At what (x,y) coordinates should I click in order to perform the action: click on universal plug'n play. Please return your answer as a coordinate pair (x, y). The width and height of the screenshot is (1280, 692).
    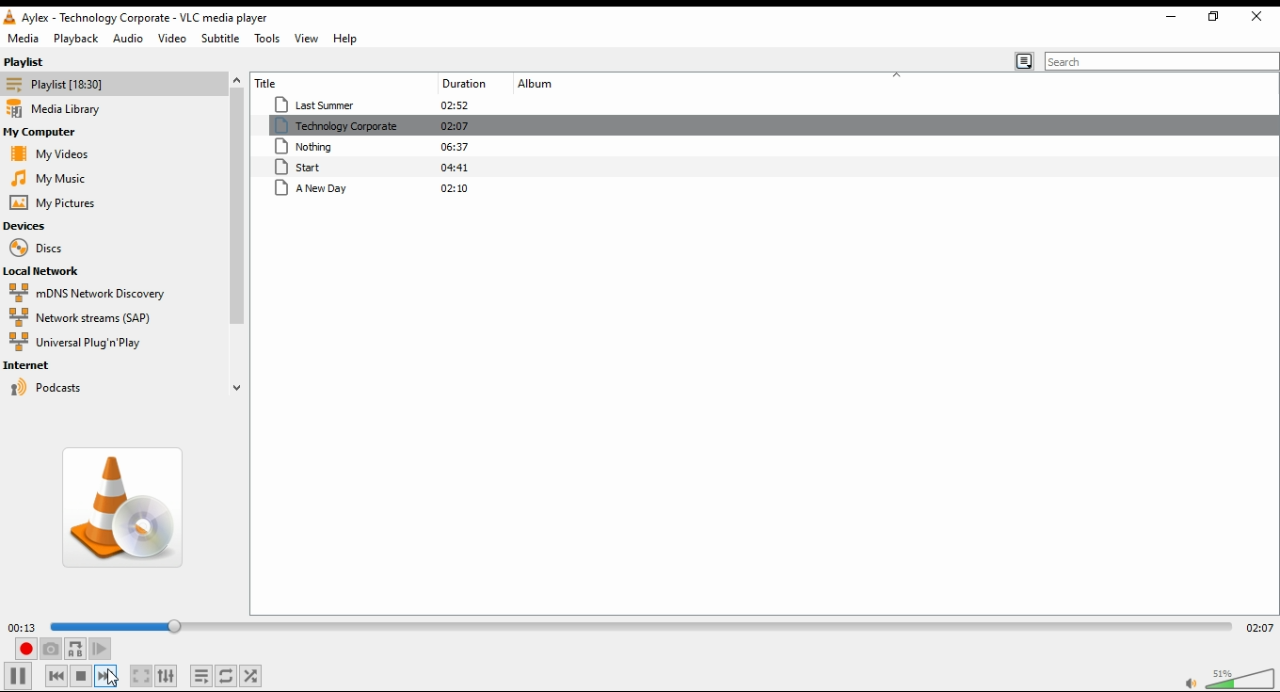
    Looking at the image, I should click on (85, 343).